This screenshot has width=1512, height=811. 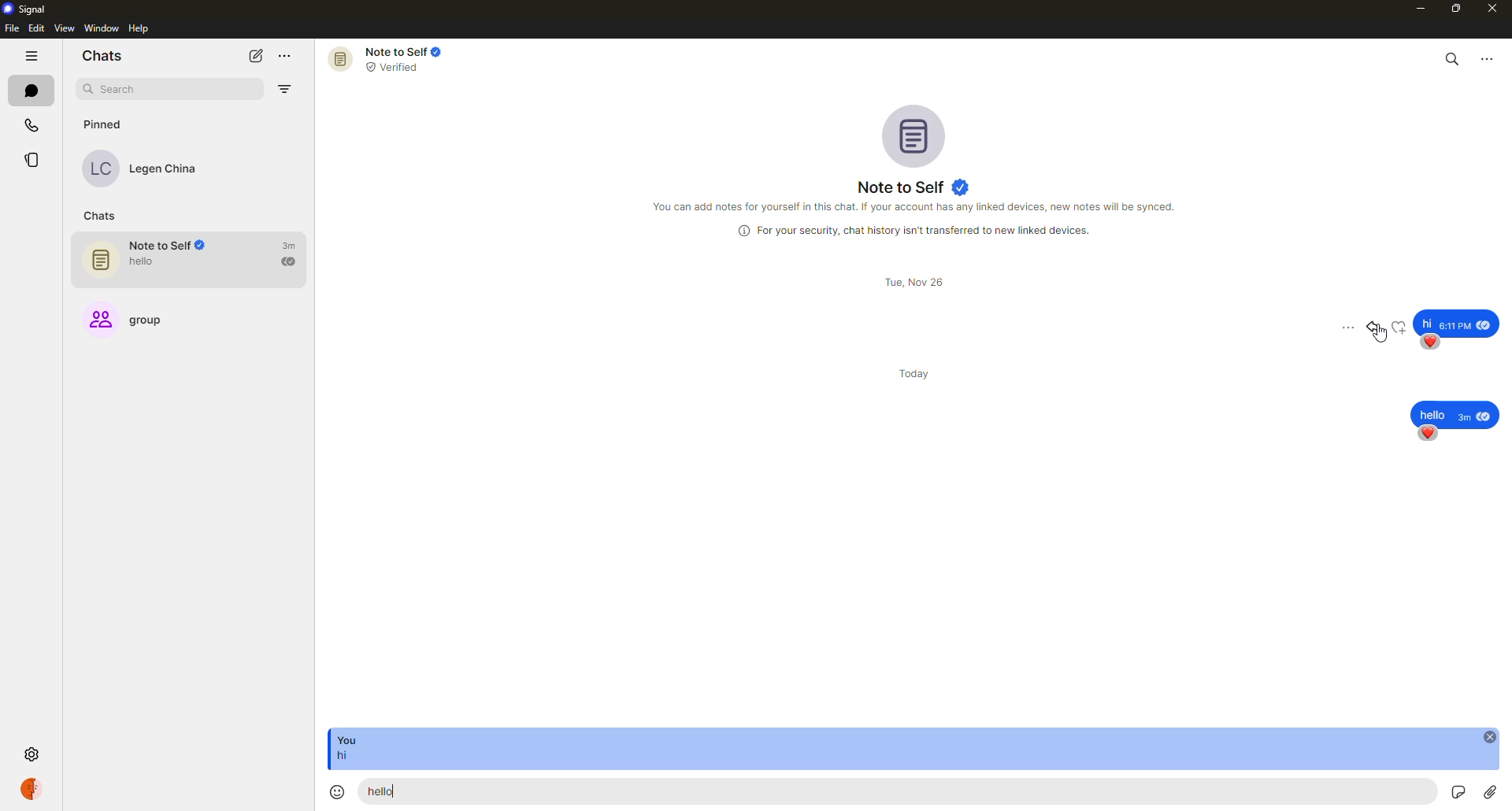 What do you see at coordinates (1494, 8) in the screenshot?
I see `close` at bounding box center [1494, 8].